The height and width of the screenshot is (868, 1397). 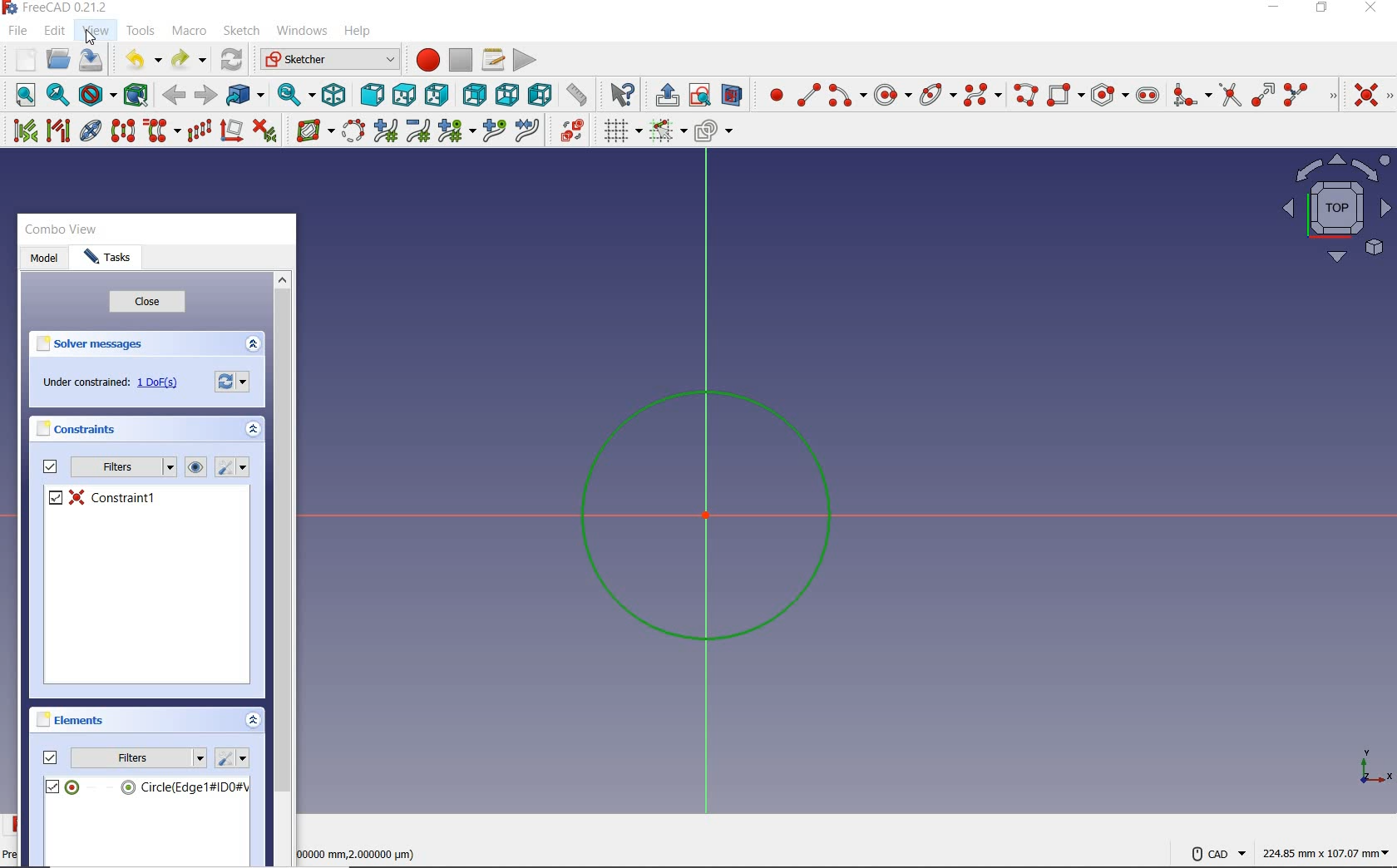 What do you see at coordinates (236, 382) in the screenshot?
I see `forces recomputation of active document` at bounding box center [236, 382].